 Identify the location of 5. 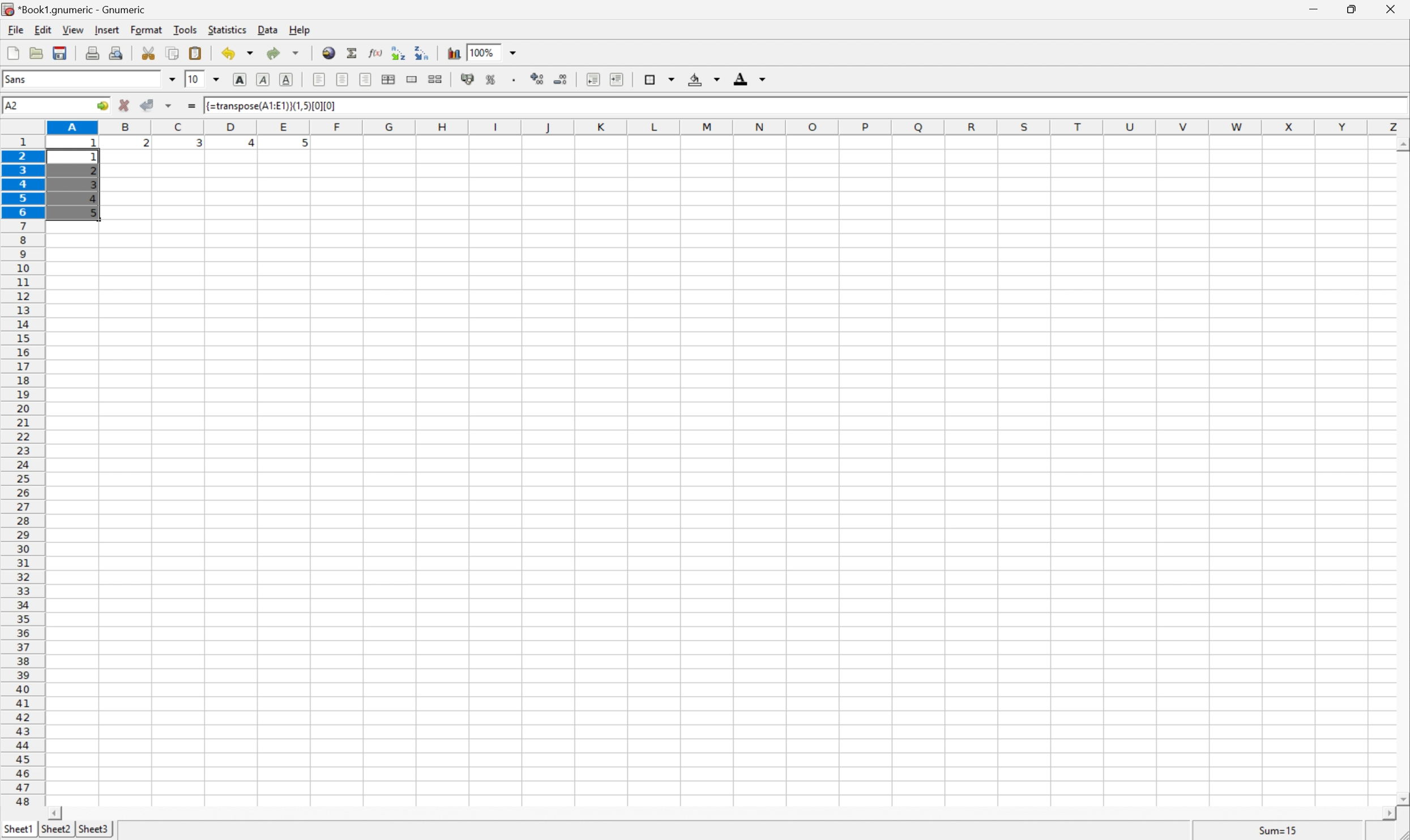
(302, 145).